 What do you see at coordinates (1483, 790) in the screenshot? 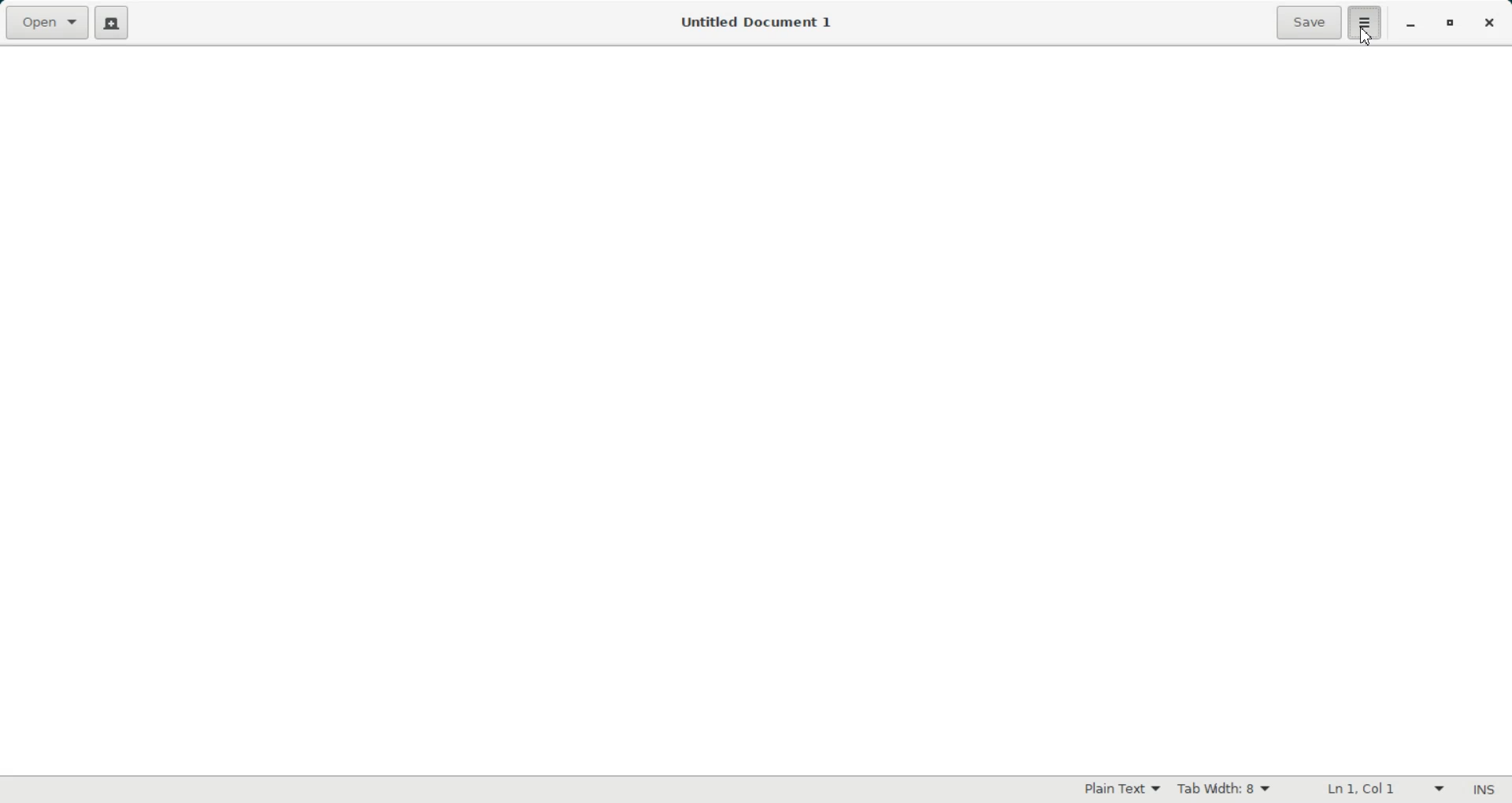
I see `Insert` at bounding box center [1483, 790].